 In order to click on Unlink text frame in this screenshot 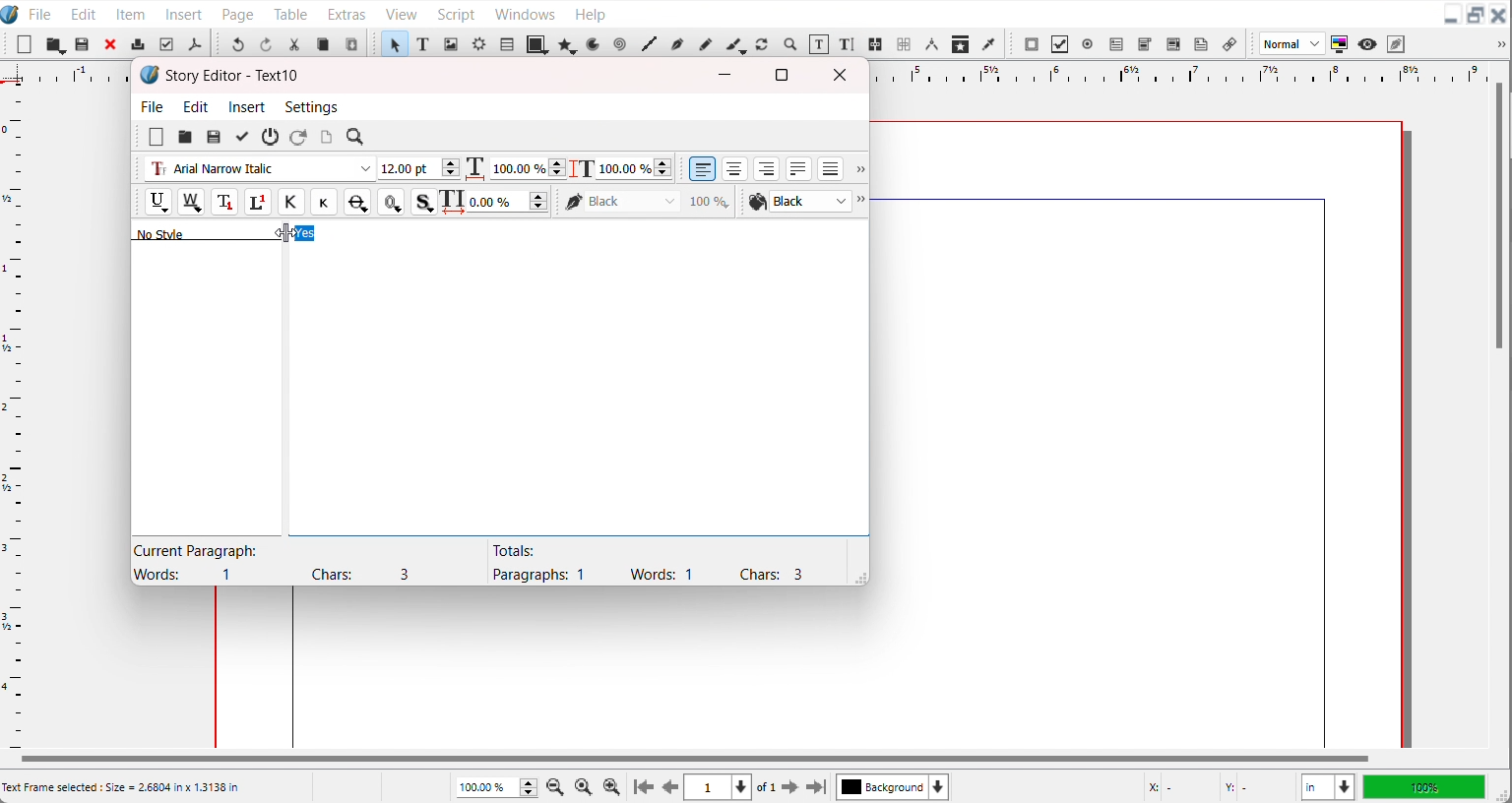, I will do `click(903, 44)`.